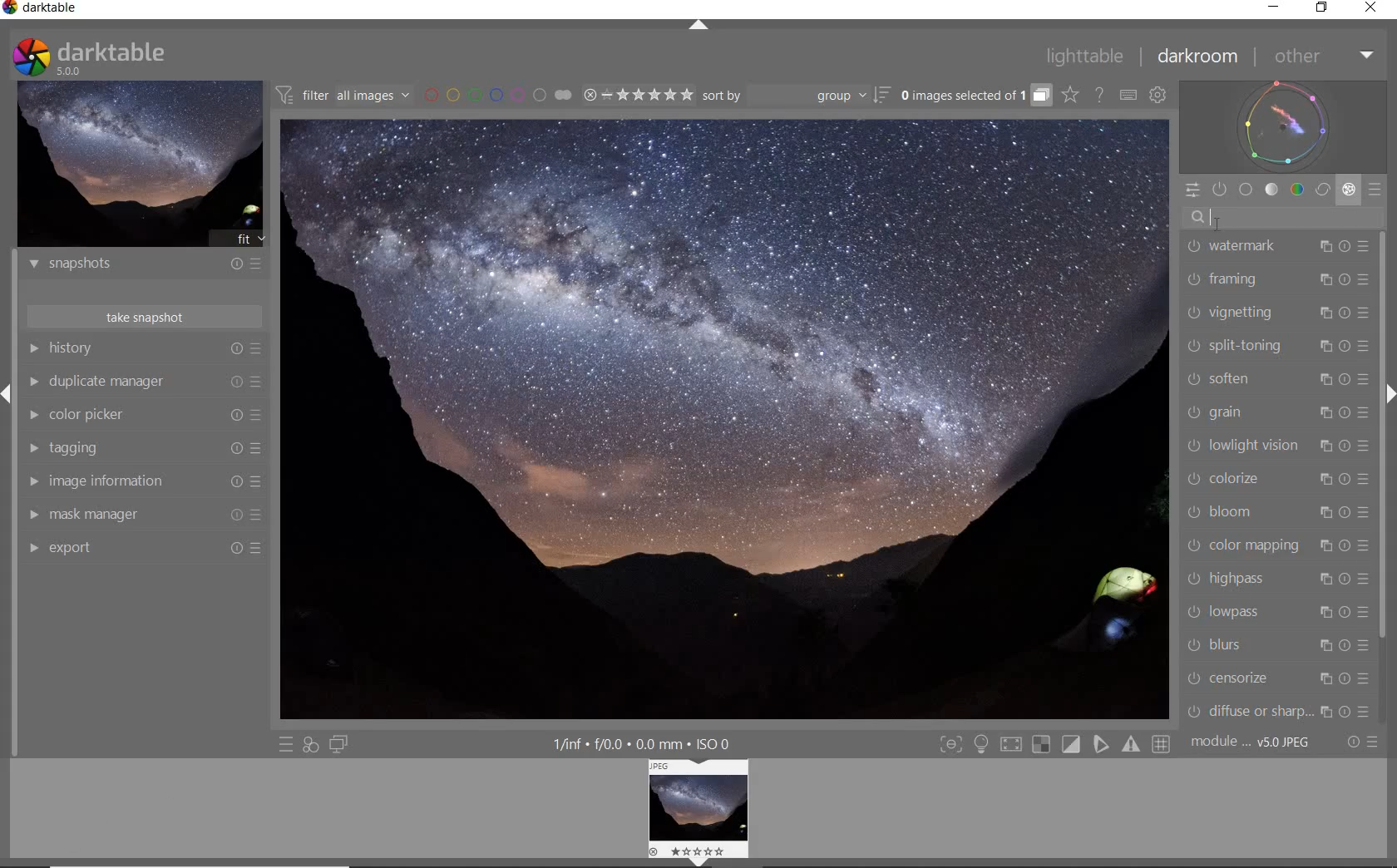 This screenshot has height=868, width=1397. What do you see at coordinates (1364, 413) in the screenshot?
I see `` at bounding box center [1364, 413].